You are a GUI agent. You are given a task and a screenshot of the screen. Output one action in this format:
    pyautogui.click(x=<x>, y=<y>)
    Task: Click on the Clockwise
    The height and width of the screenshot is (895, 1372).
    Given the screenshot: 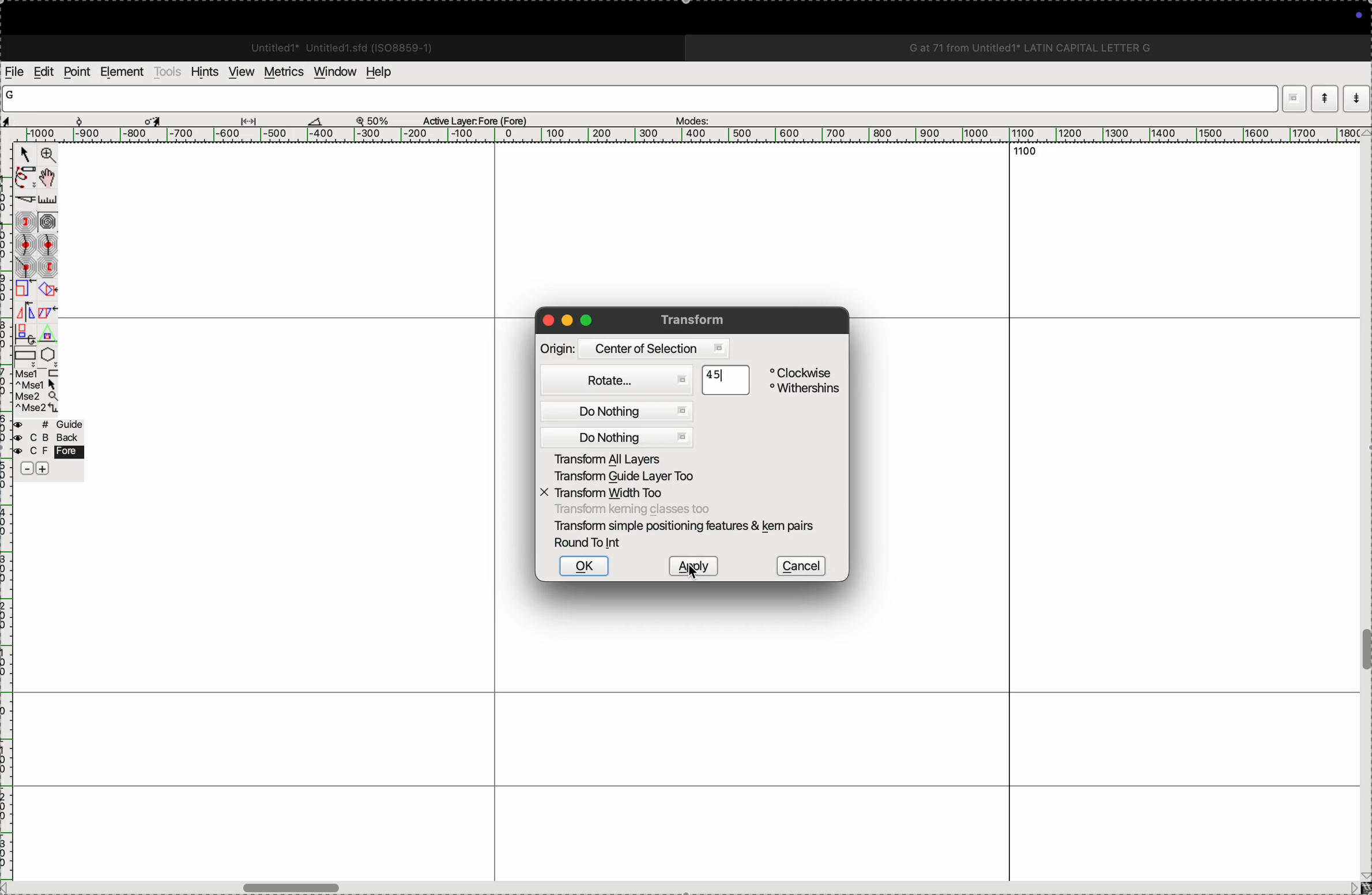 What is the action you would take?
    pyautogui.click(x=805, y=373)
    